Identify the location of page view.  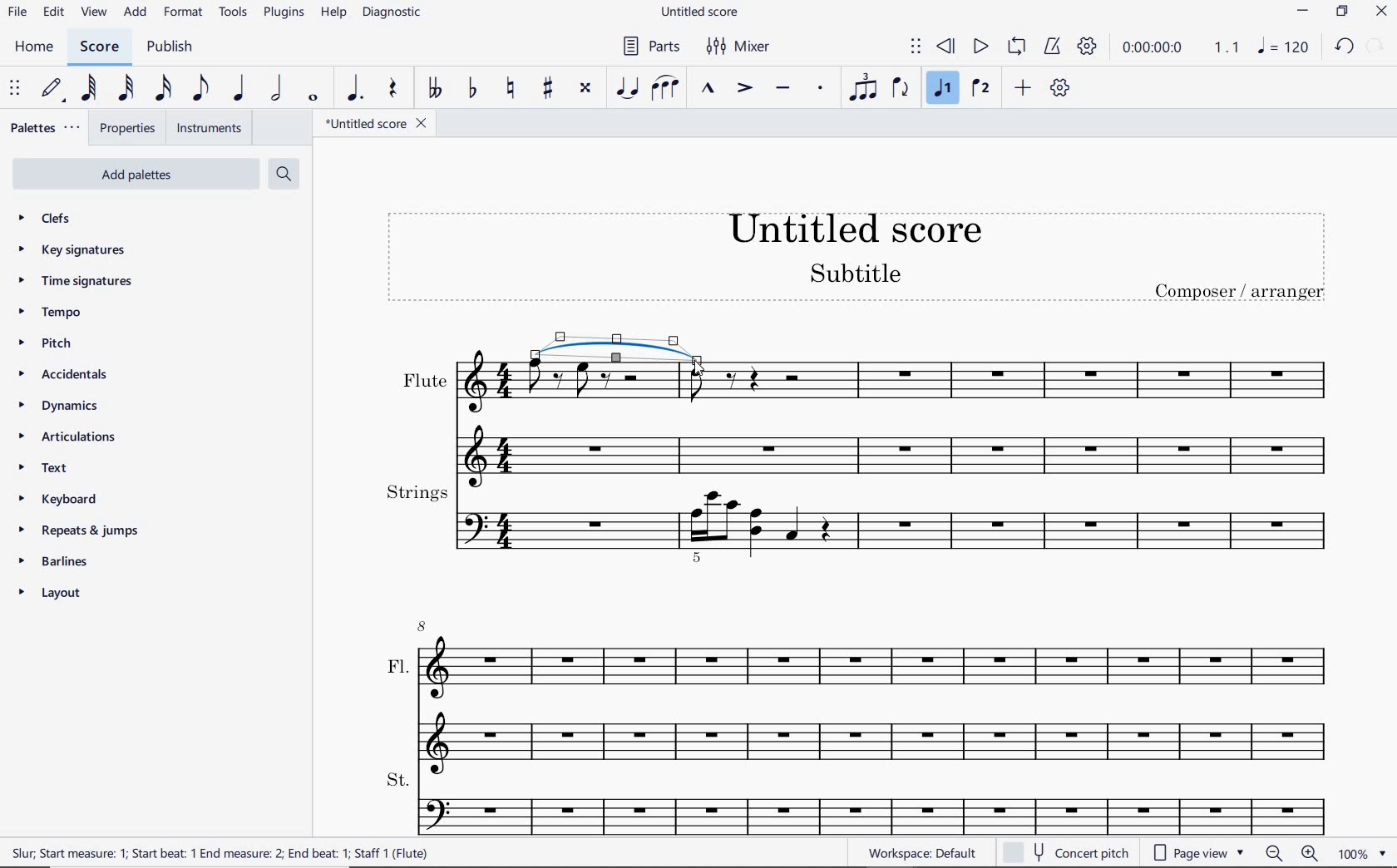
(1201, 851).